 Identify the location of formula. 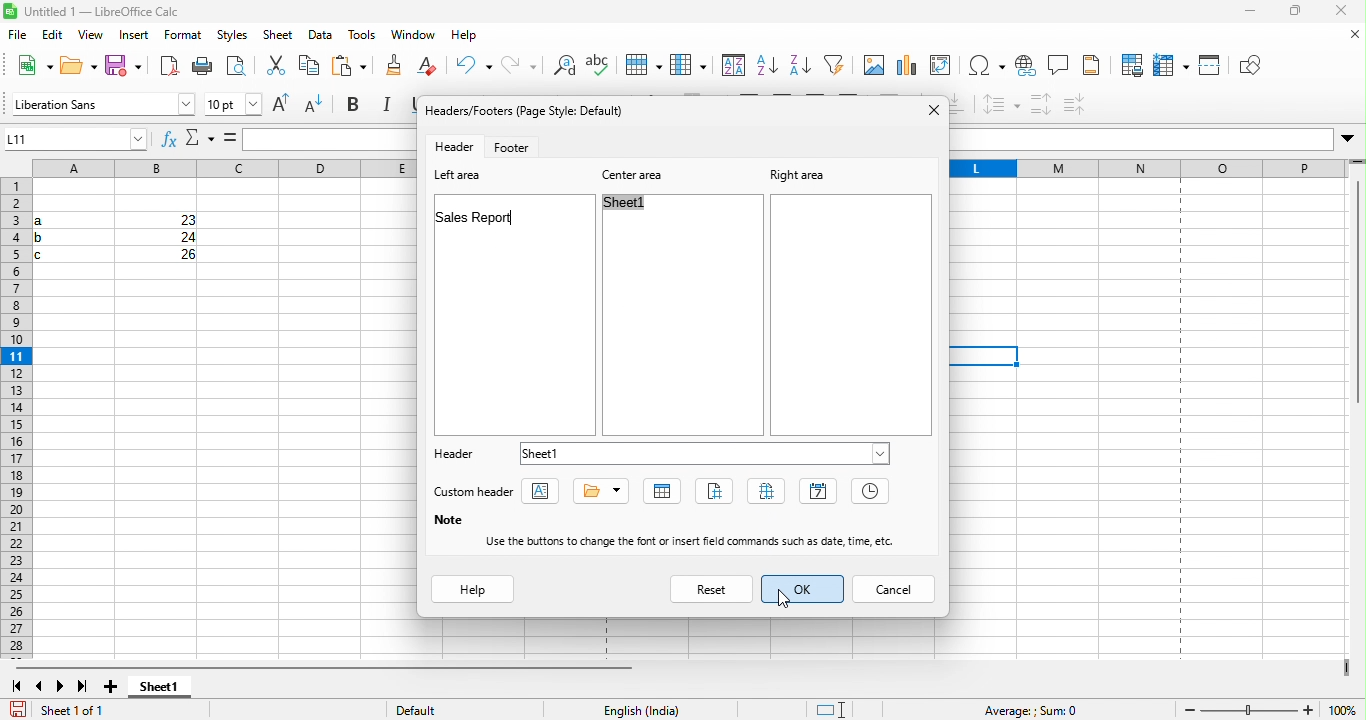
(233, 139).